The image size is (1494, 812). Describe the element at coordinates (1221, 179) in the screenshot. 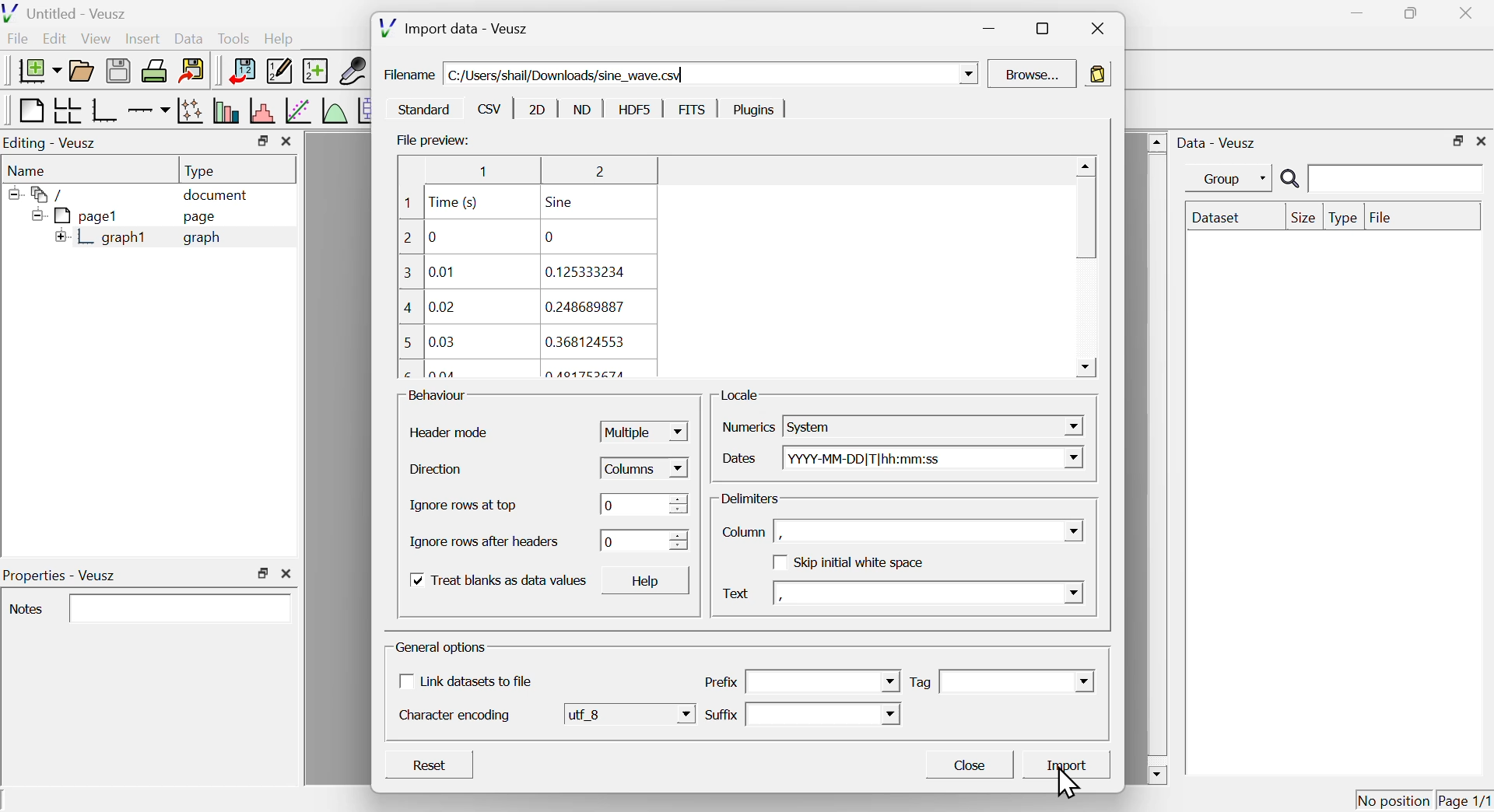

I see `group` at that location.